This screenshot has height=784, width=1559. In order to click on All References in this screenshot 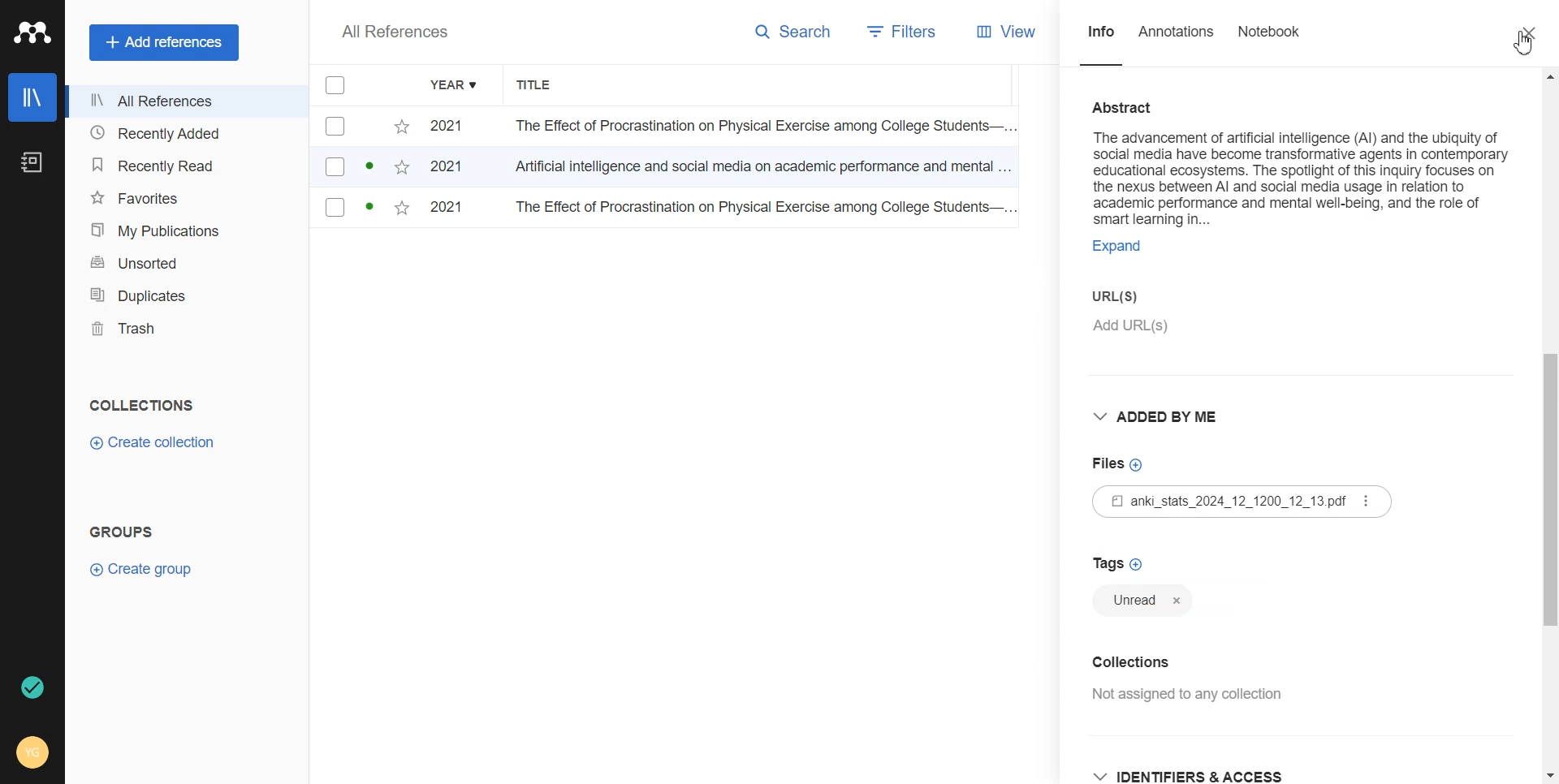, I will do `click(395, 32)`.